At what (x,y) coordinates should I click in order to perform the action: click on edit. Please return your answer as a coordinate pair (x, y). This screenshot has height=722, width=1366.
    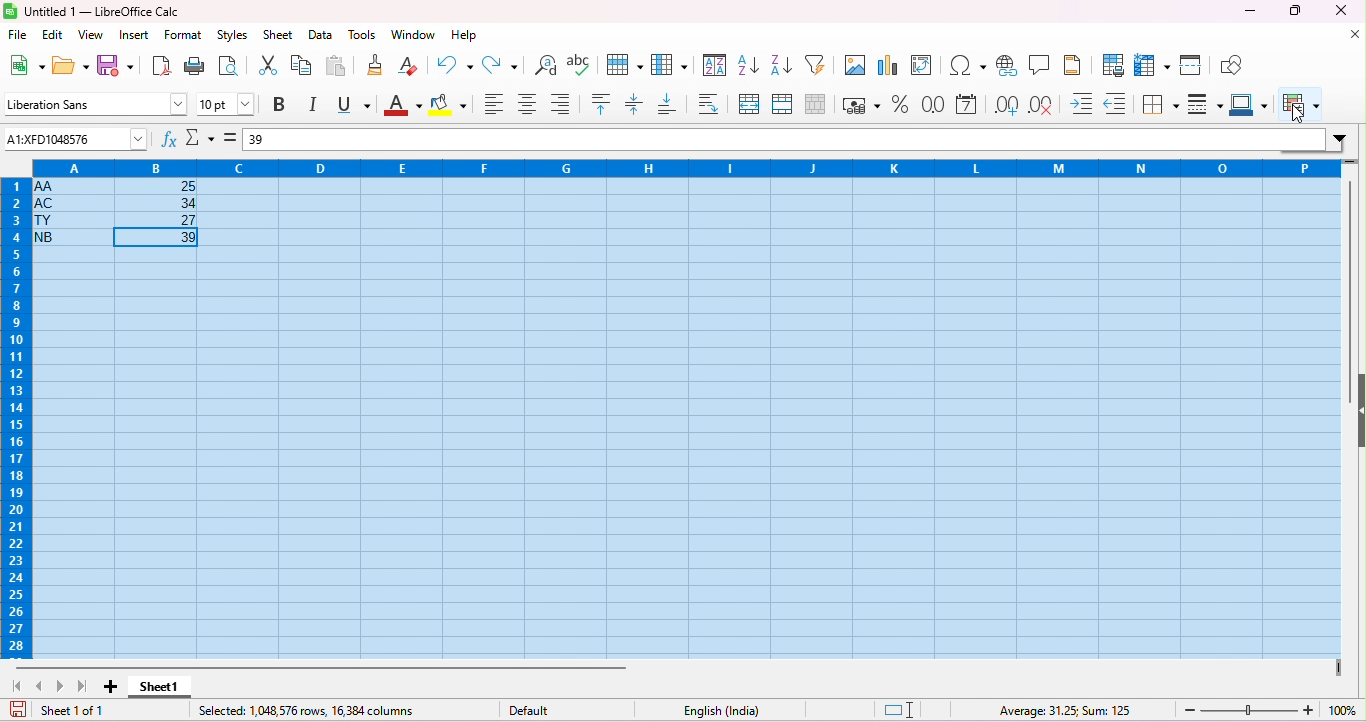
    Looking at the image, I should click on (54, 36).